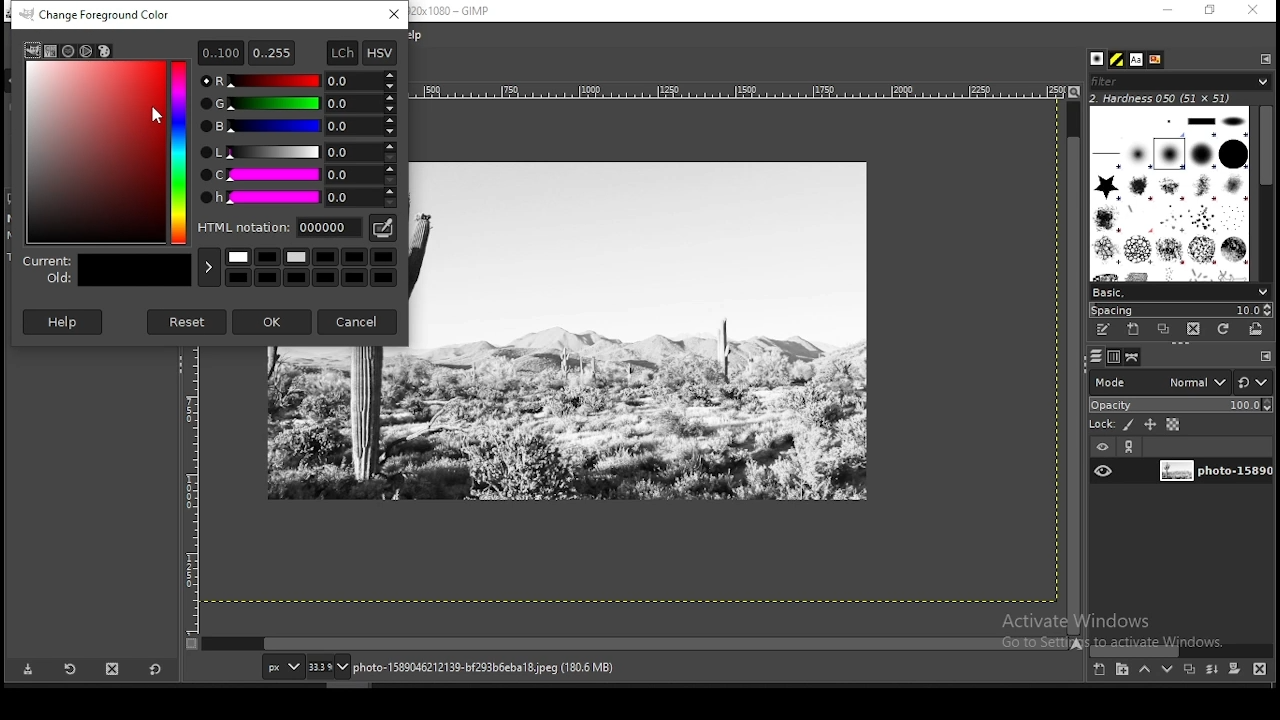 This screenshot has height=720, width=1280. Describe the element at coordinates (294, 150) in the screenshot. I see `lch lightness` at that location.